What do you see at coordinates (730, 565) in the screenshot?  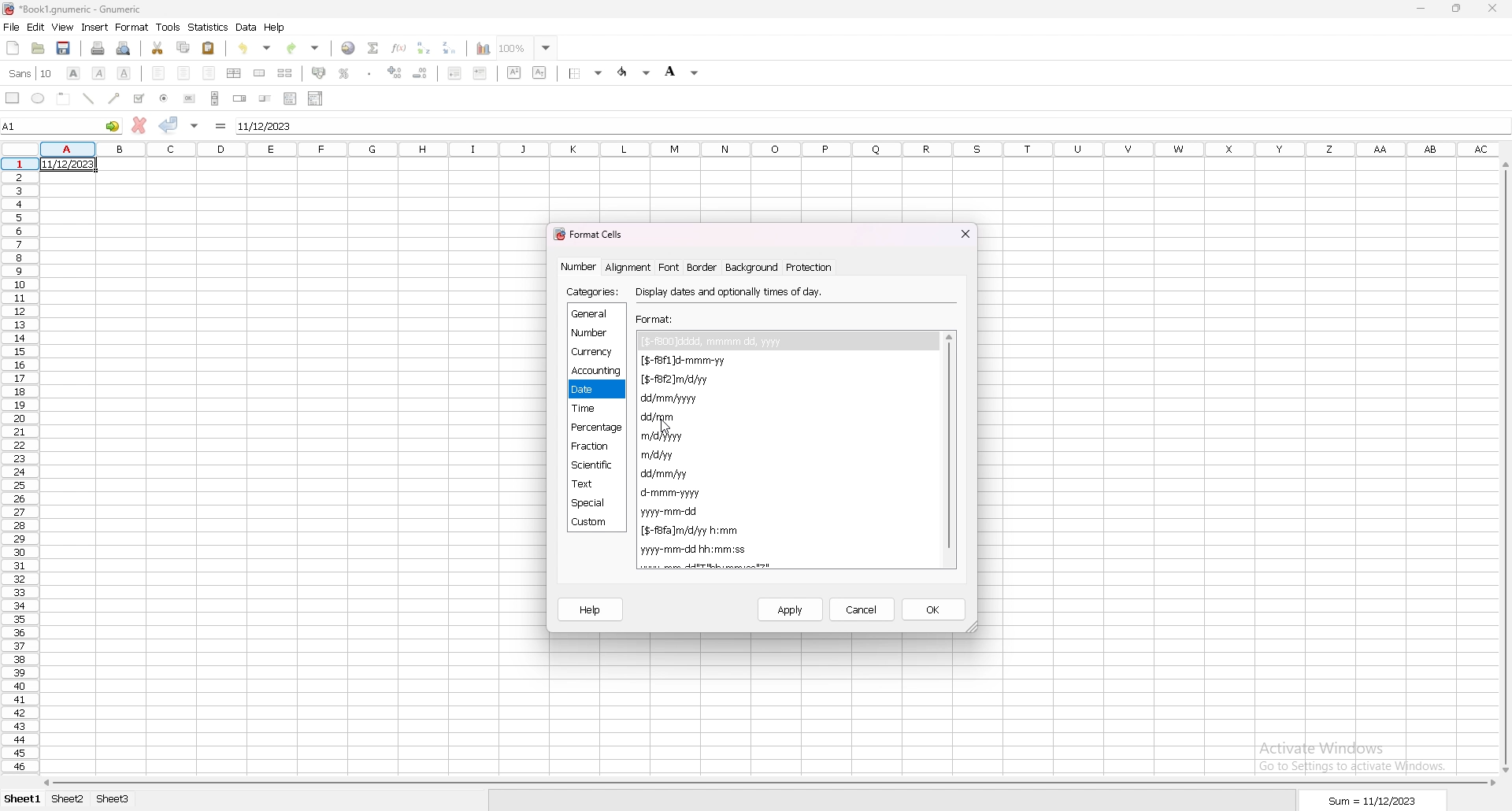 I see `d/m/yyyy` at bounding box center [730, 565].